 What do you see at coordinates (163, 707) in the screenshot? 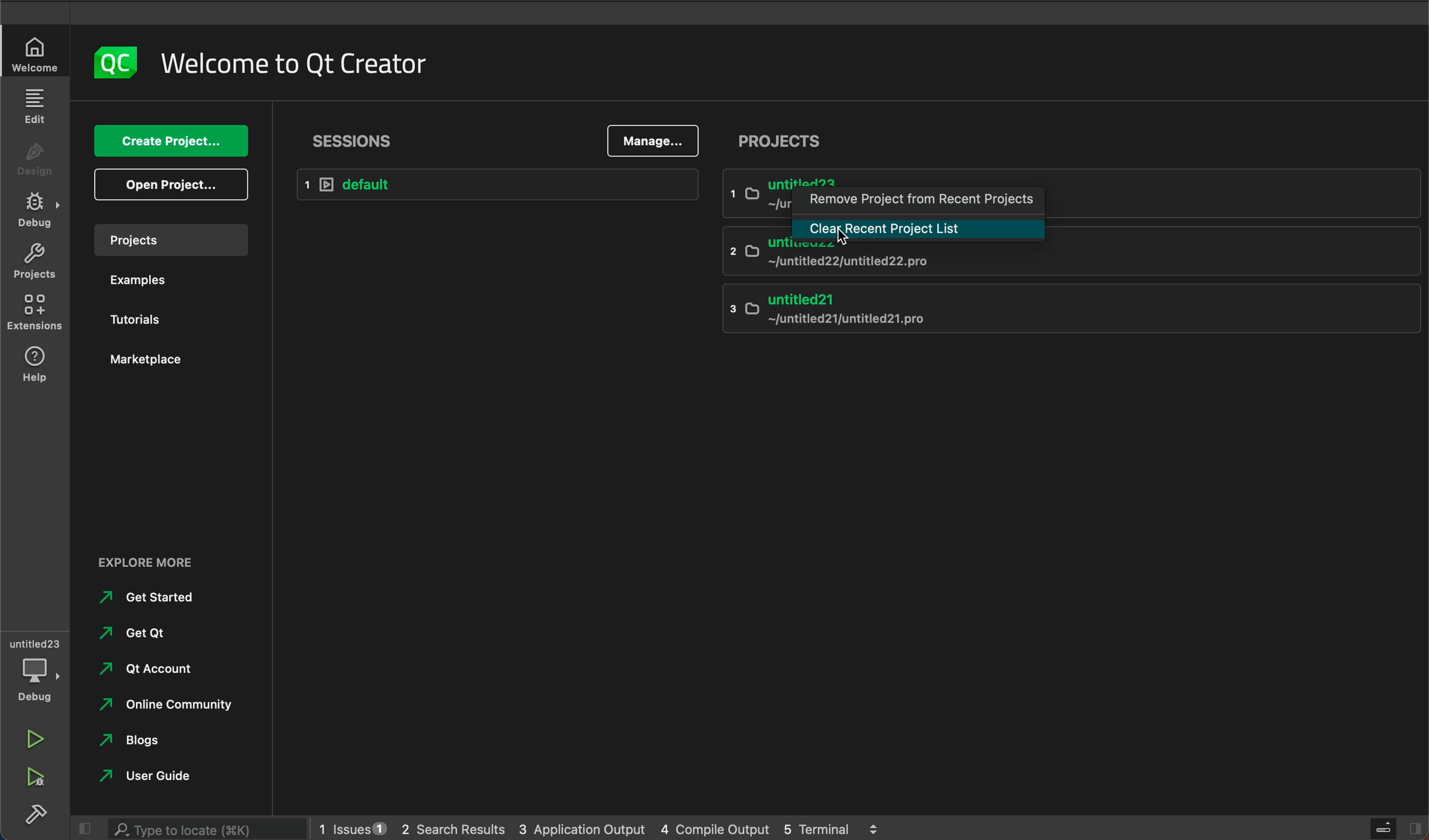
I see `online community` at bounding box center [163, 707].